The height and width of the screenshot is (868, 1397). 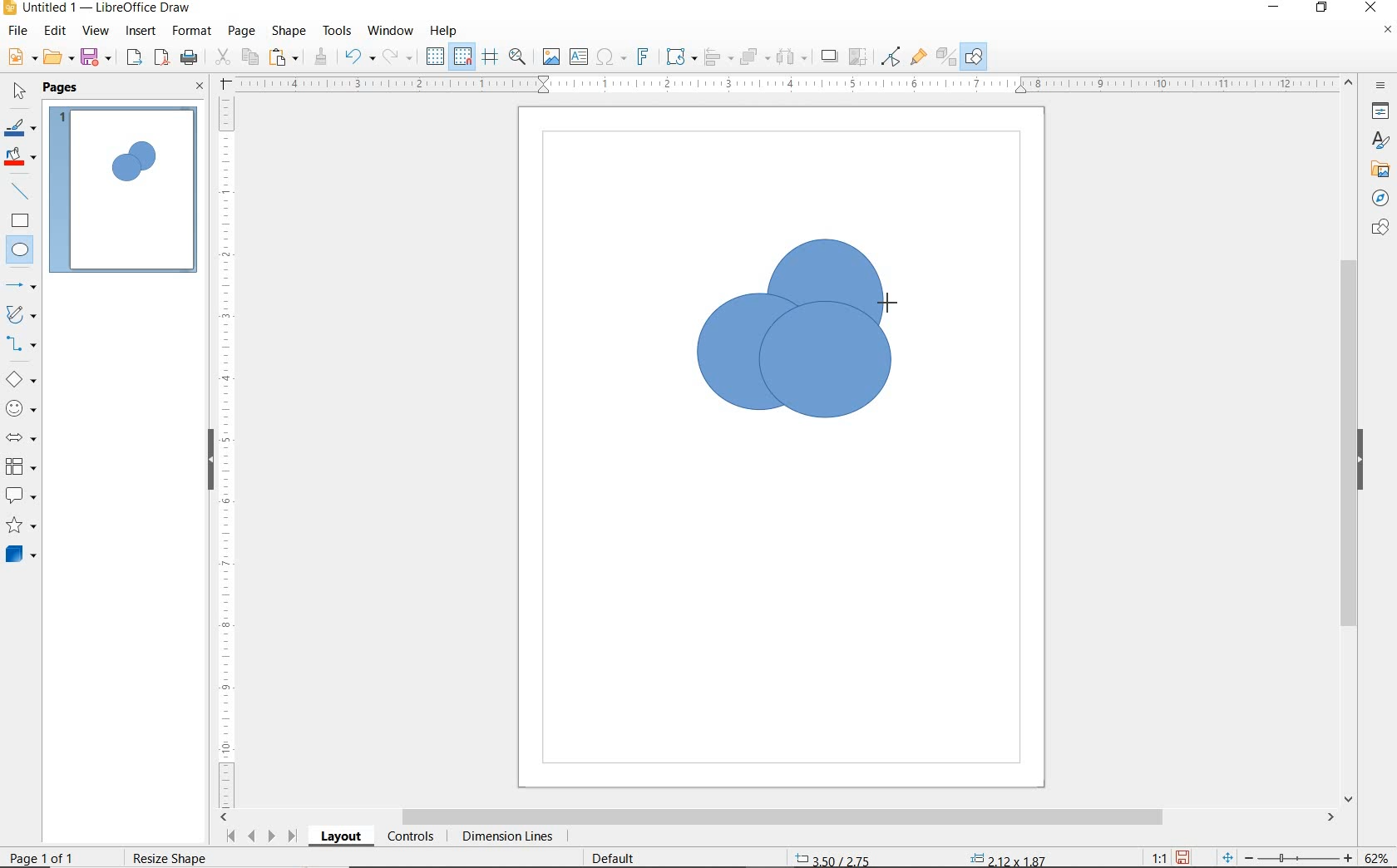 What do you see at coordinates (19, 556) in the screenshot?
I see `3D OBJECTS` at bounding box center [19, 556].